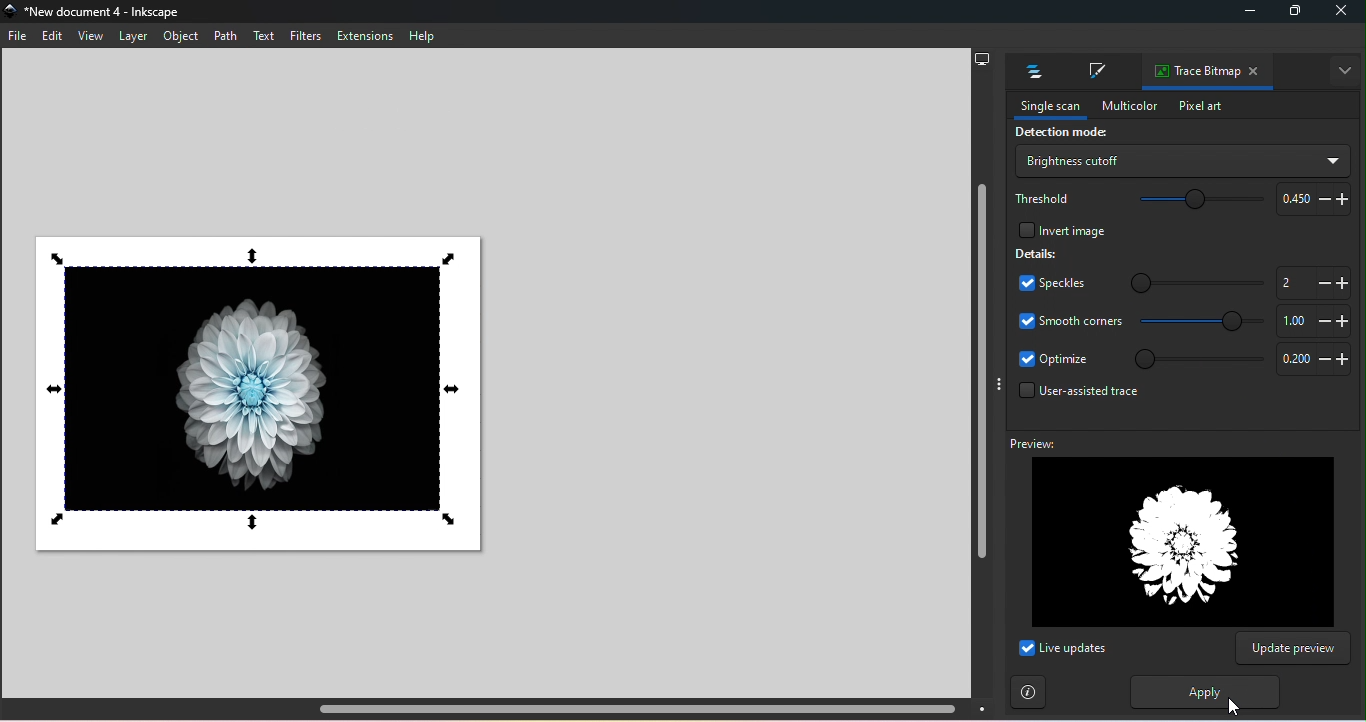  Describe the element at coordinates (1310, 198) in the screenshot. I see `Increase or decrease threshold` at that location.